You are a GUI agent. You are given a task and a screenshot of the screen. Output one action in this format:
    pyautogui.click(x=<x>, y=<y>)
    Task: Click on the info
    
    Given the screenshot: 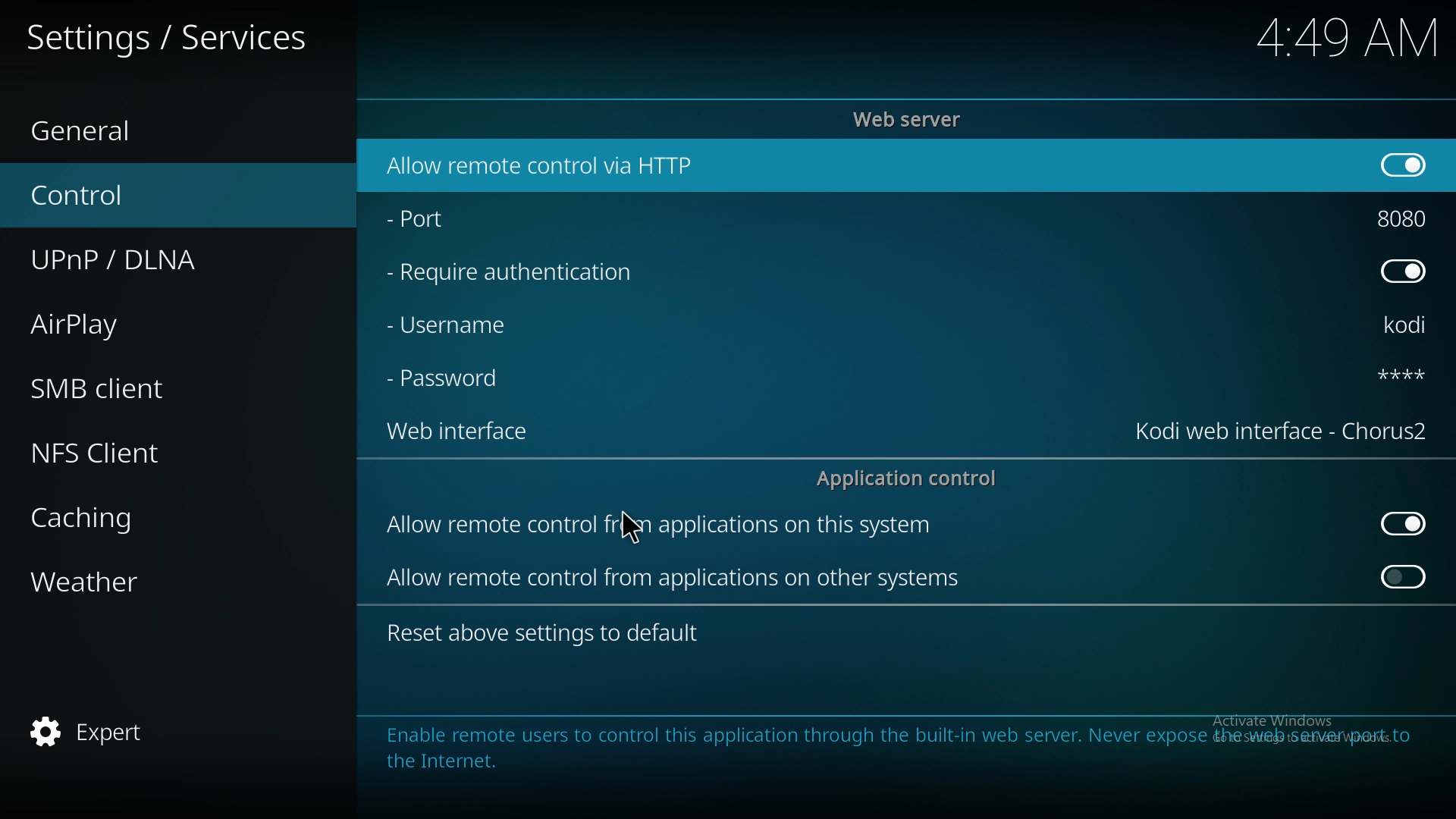 What is the action you would take?
    pyautogui.click(x=899, y=747)
    